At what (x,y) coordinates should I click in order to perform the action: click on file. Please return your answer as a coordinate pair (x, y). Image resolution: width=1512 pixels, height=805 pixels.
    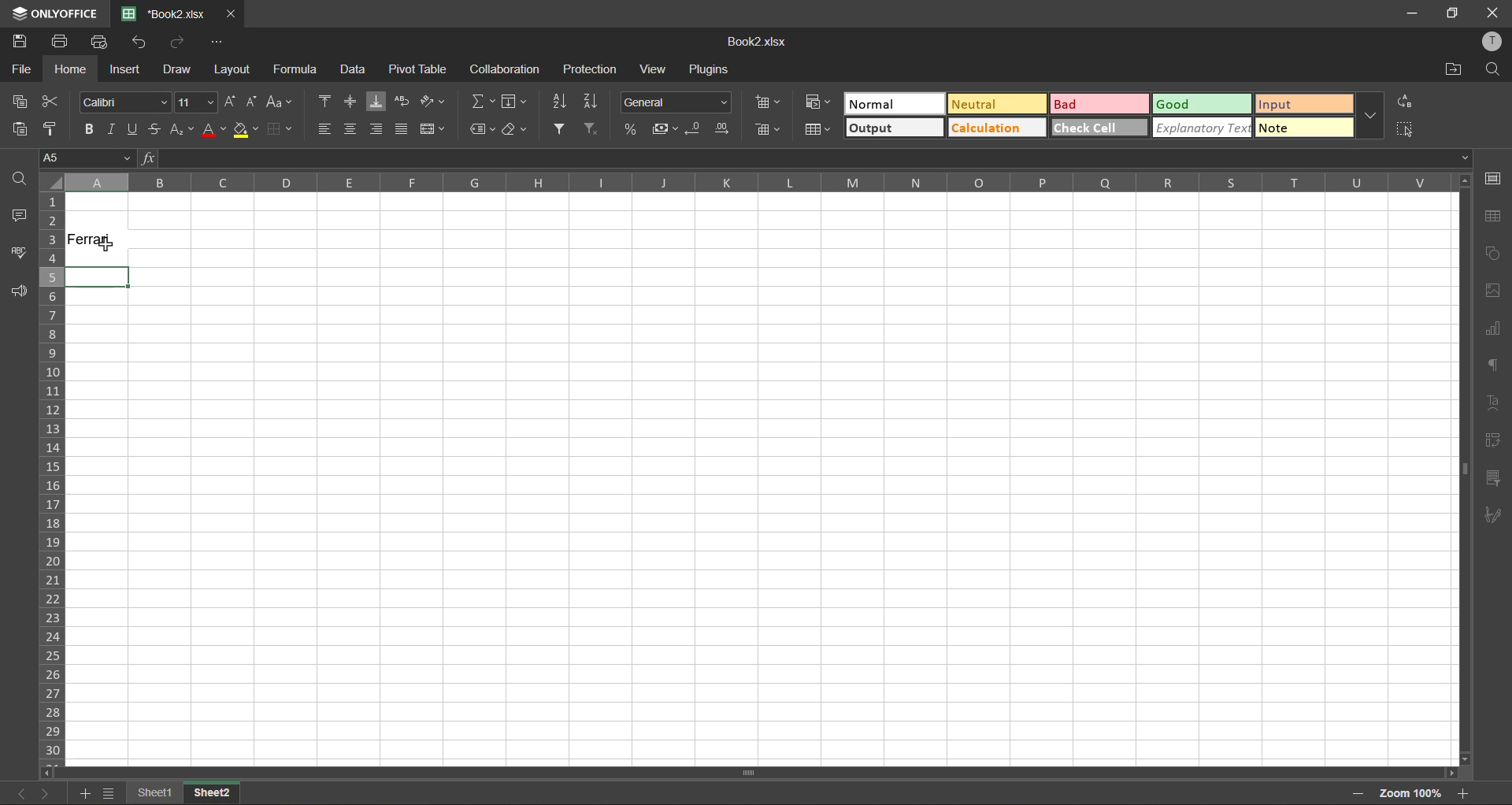
    Looking at the image, I should click on (21, 68).